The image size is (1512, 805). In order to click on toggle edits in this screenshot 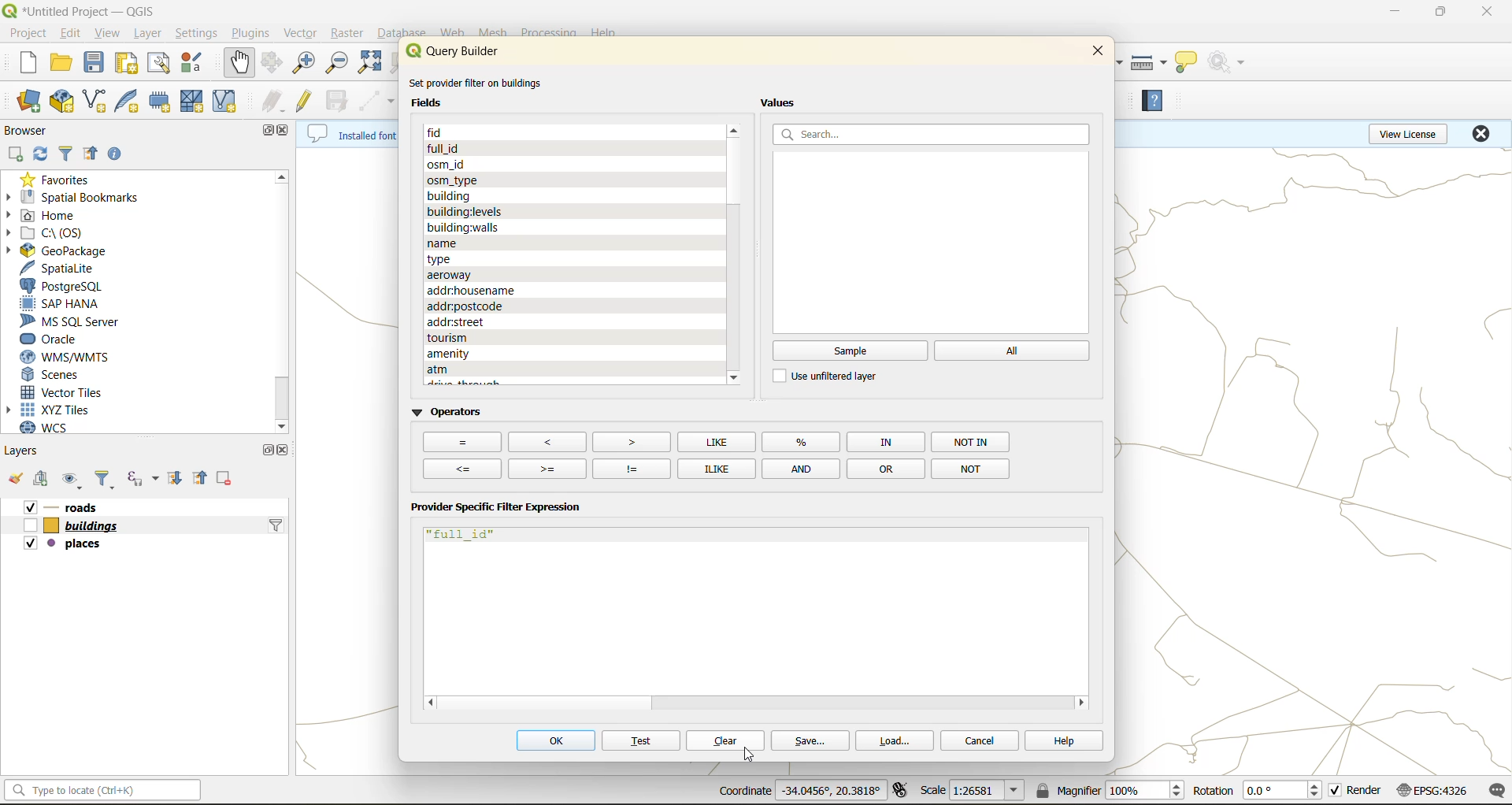, I will do `click(306, 102)`.